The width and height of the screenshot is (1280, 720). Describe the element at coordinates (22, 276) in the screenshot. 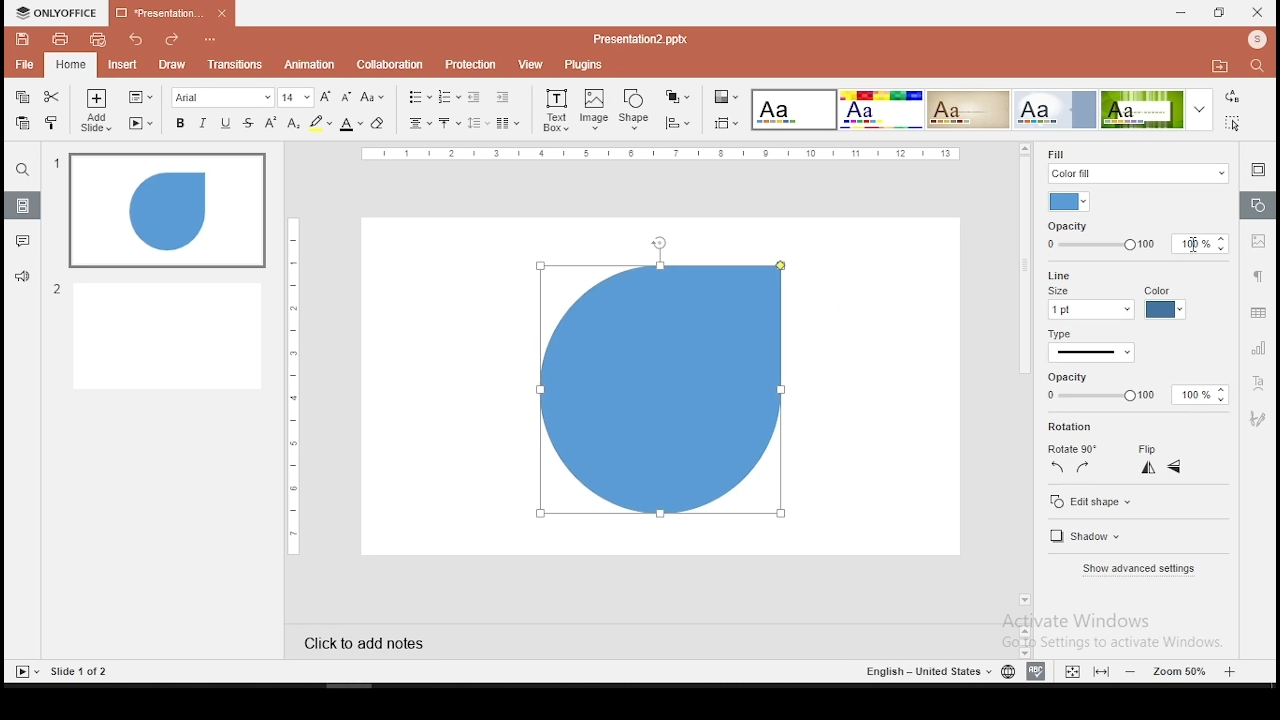

I see `support and feedback` at that location.